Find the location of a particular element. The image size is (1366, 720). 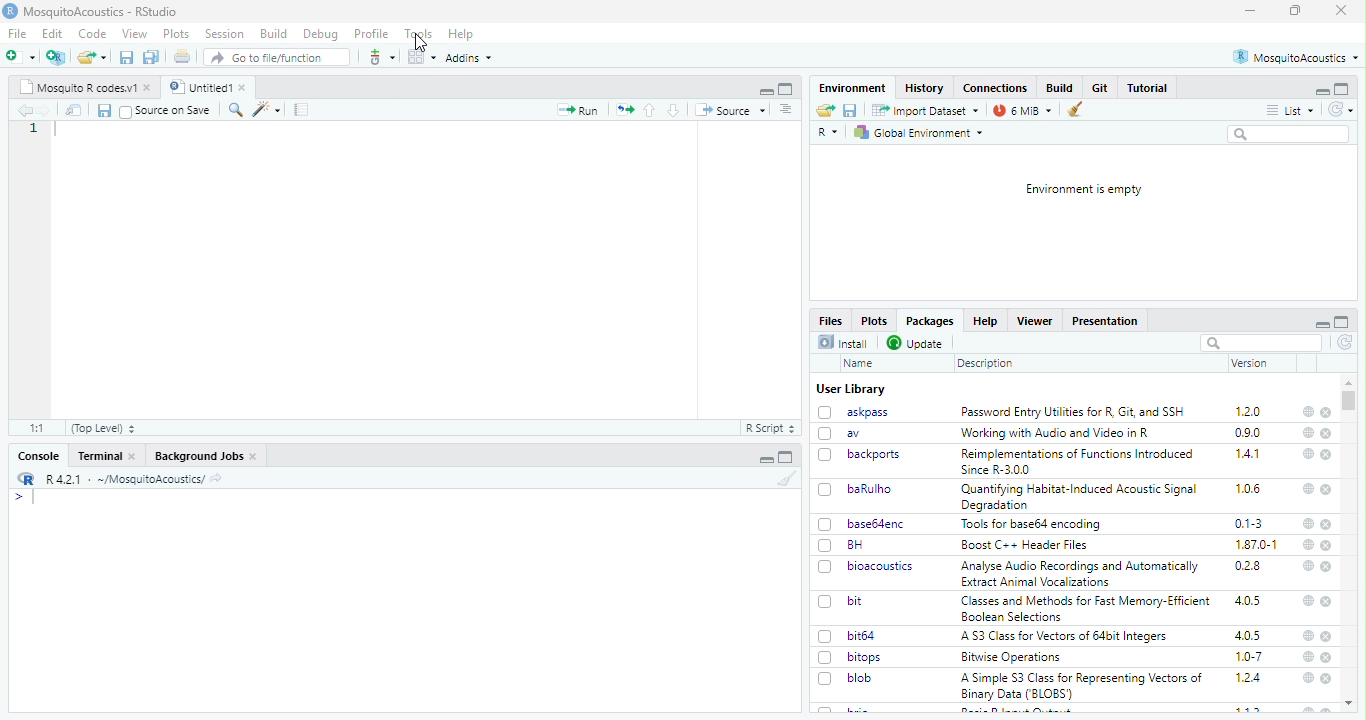

close is located at coordinates (1326, 601).